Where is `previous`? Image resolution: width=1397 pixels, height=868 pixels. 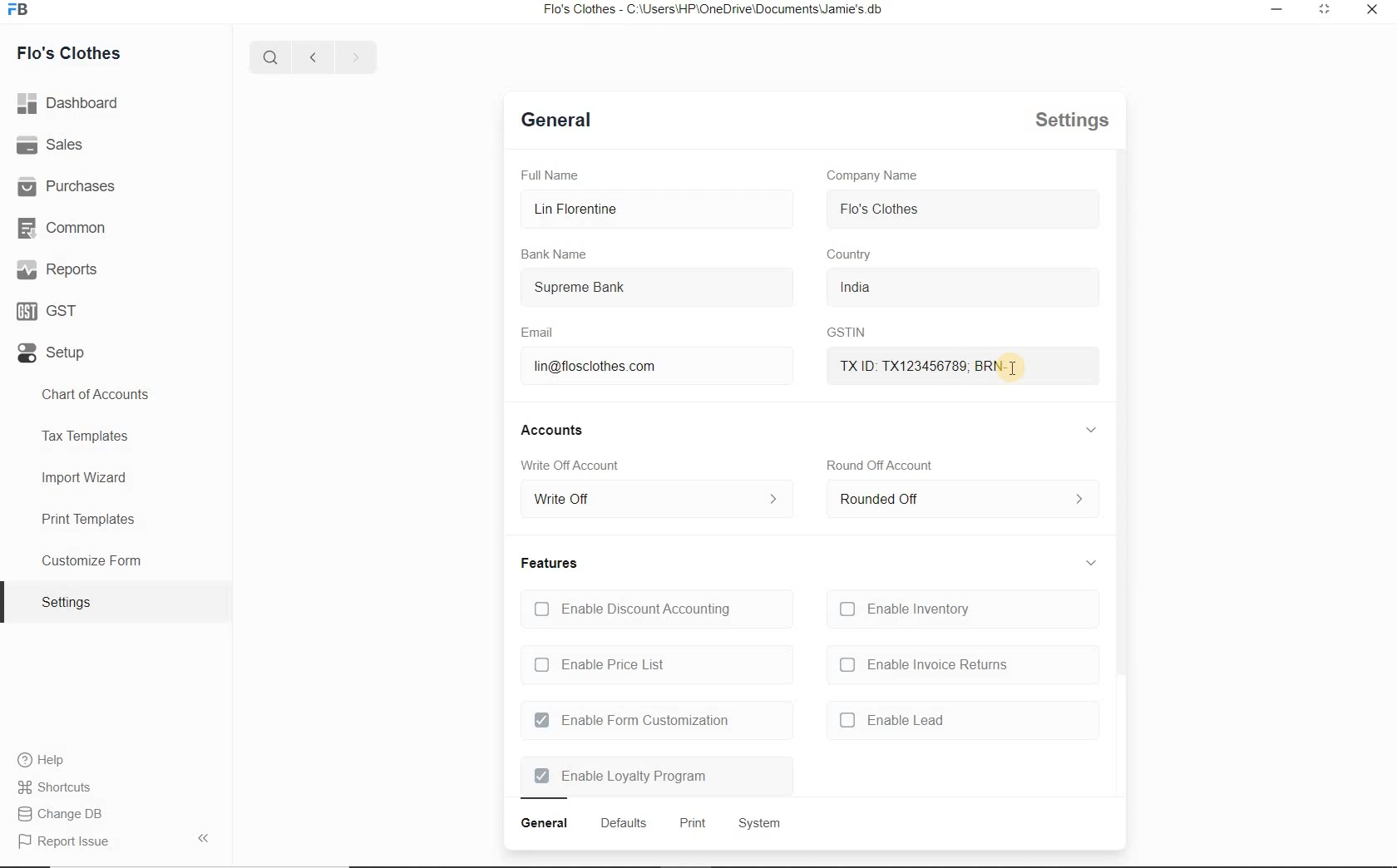
previous is located at coordinates (311, 57).